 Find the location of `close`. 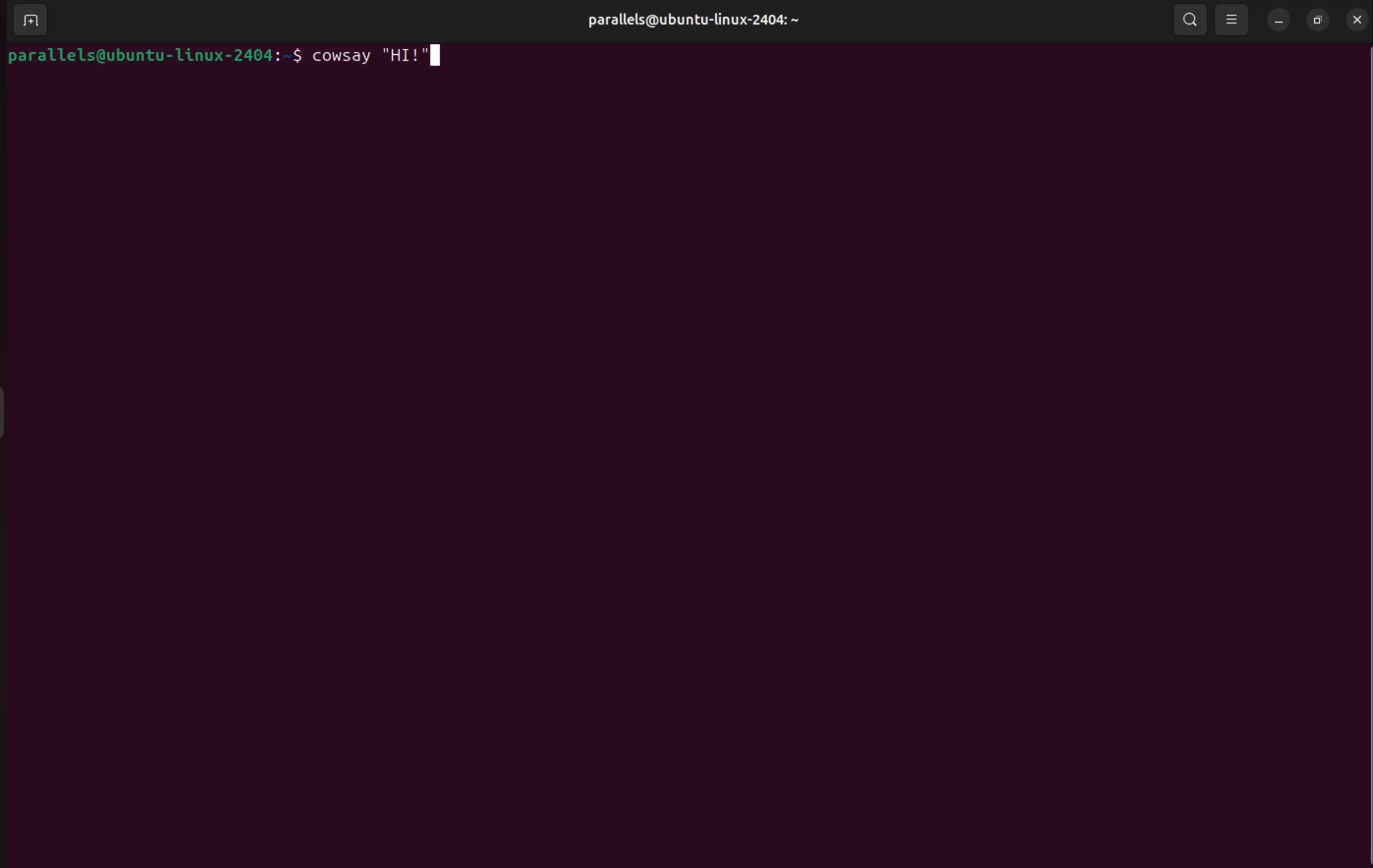

close is located at coordinates (1359, 19).